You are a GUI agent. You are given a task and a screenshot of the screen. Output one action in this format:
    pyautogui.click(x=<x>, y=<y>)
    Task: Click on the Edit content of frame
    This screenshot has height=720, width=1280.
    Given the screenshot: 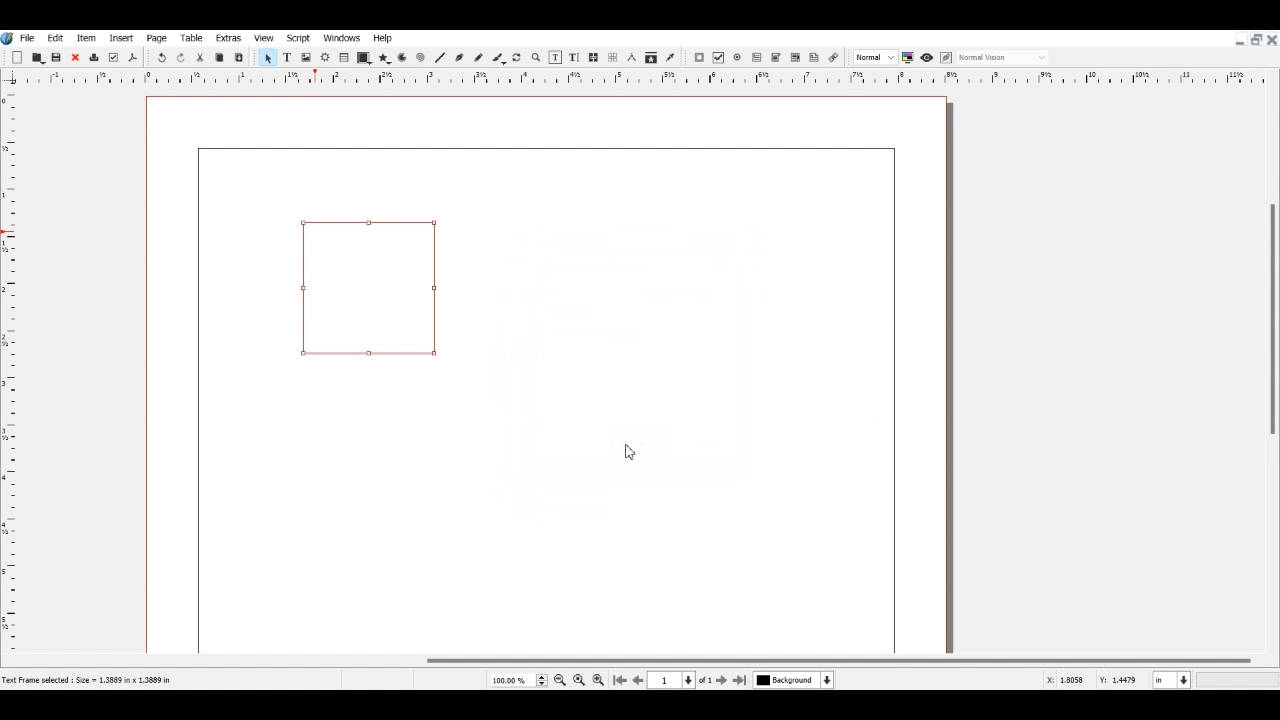 What is the action you would take?
    pyautogui.click(x=555, y=57)
    